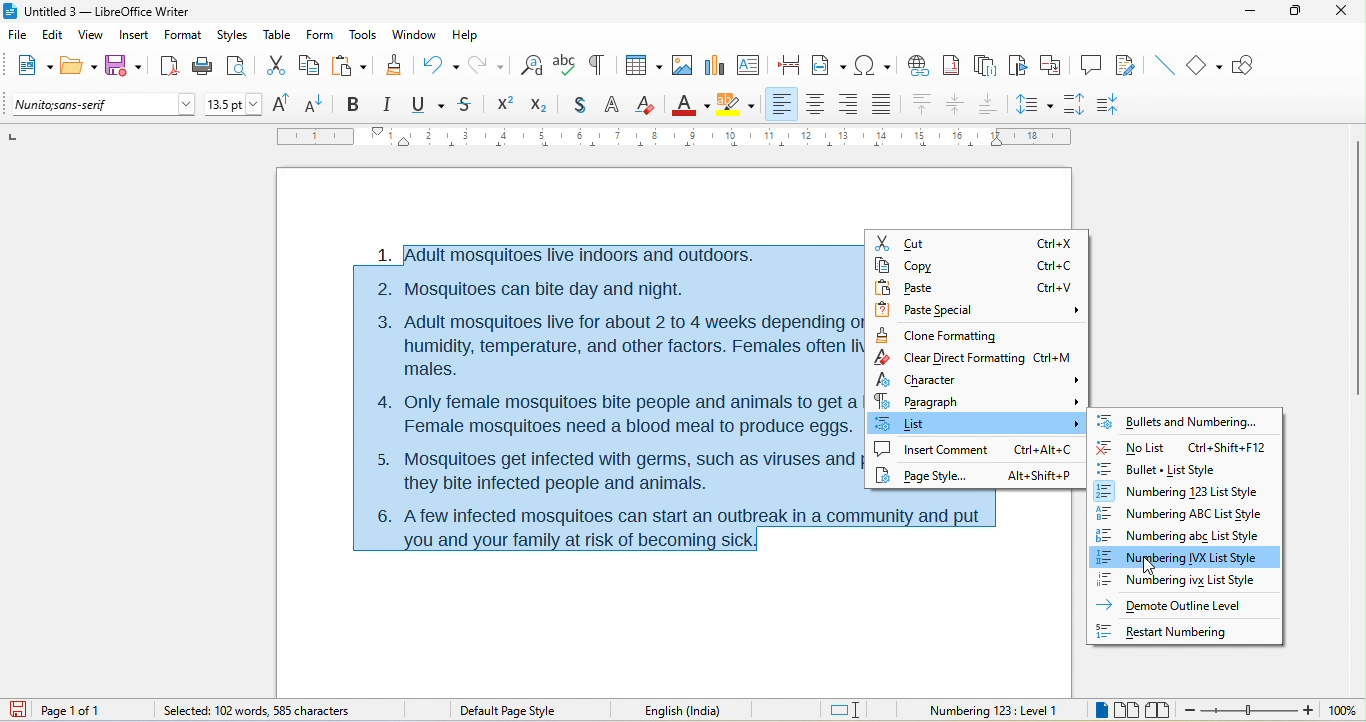 This screenshot has height=722, width=1366. I want to click on selected 102 words, 585 character, so click(257, 710).